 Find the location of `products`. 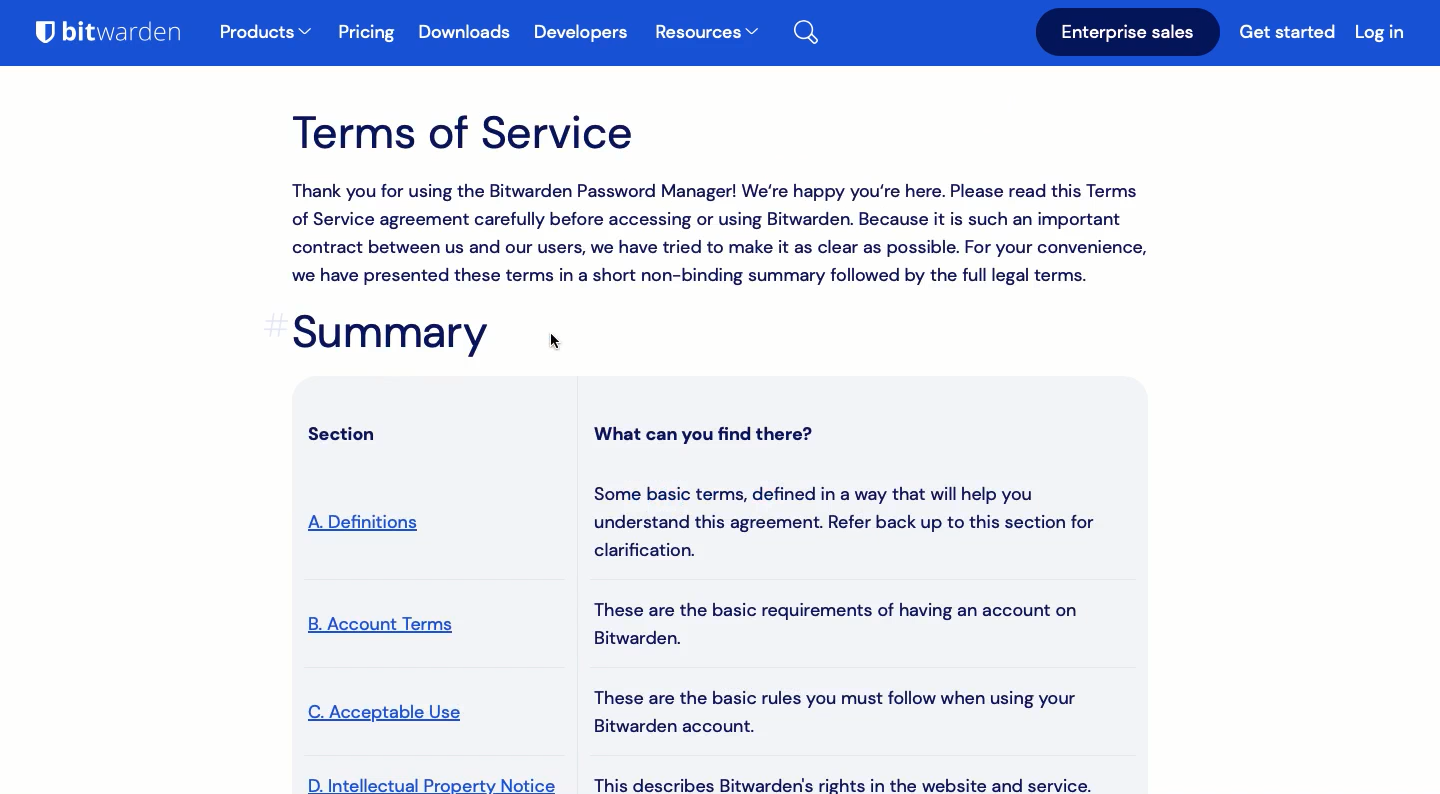

products is located at coordinates (266, 34).